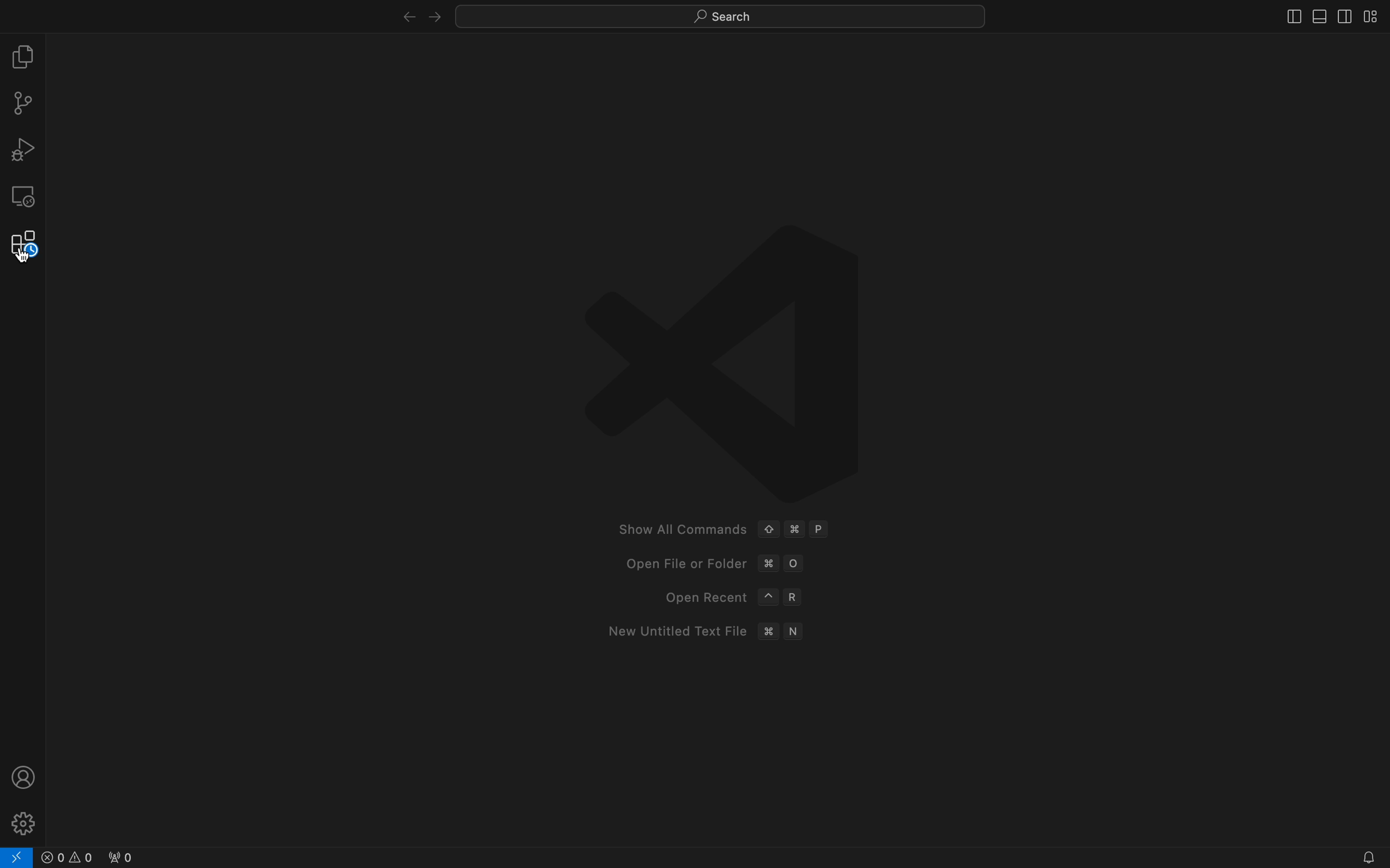 The height and width of the screenshot is (868, 1390). Describe the element at coordinates (1344, 14) in the screenshot. I see `toggle secondary bar` at that location.